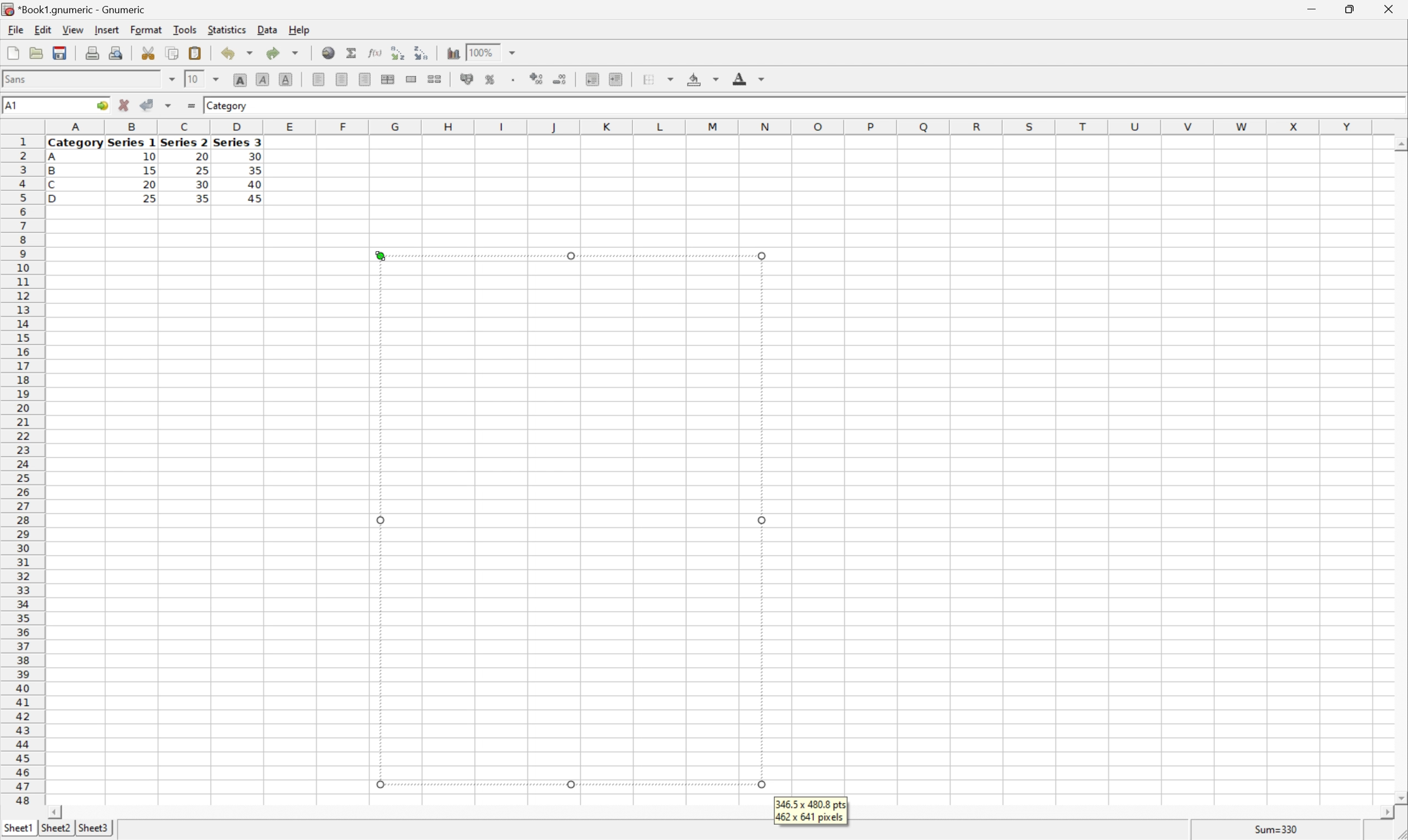  What do you see at coordinates (268, 28) in the screenshot?
I see `Data` at bounding box center [268, 28].